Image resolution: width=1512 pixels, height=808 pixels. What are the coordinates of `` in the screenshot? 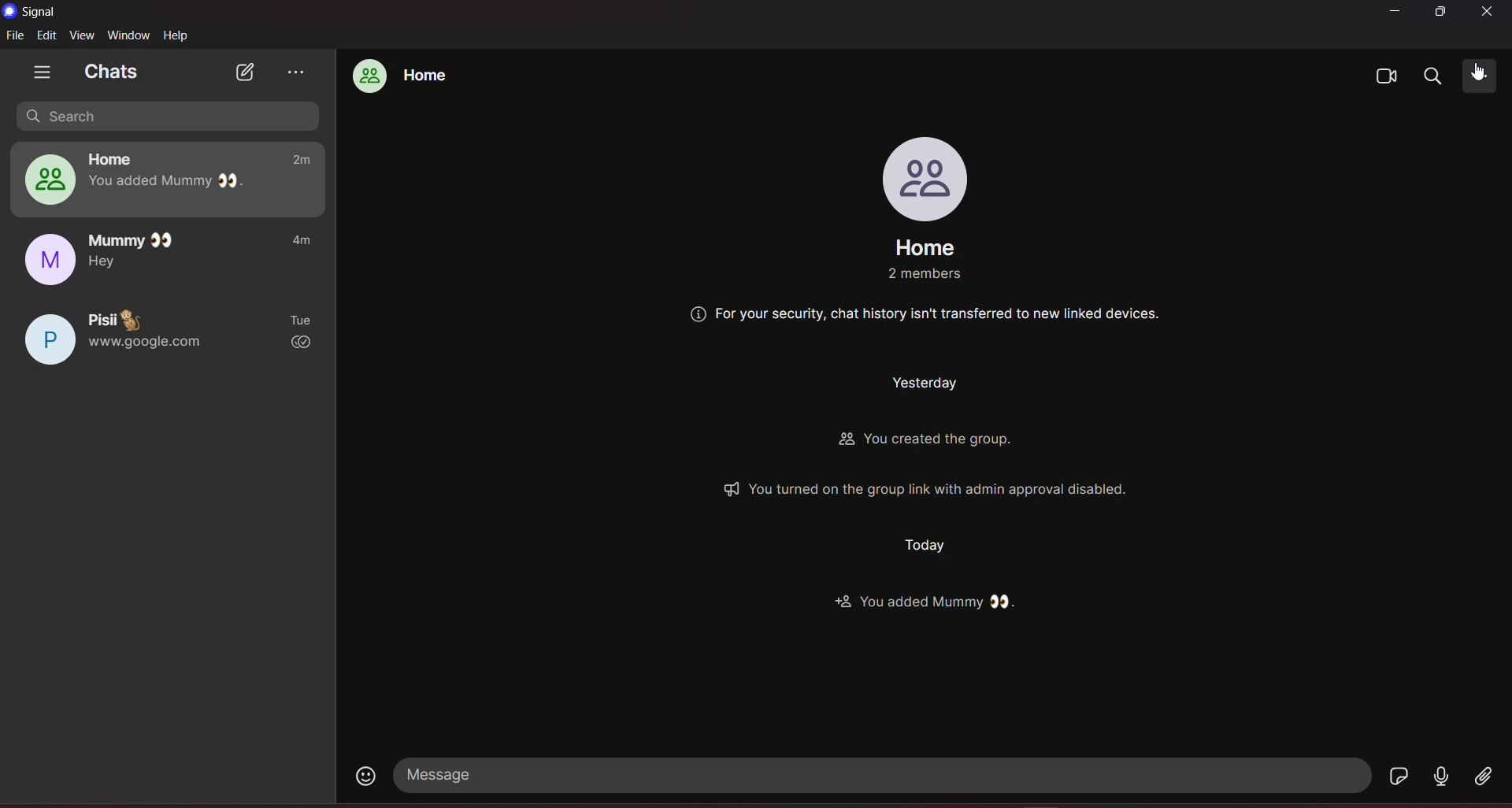 It's located at (951, 317).